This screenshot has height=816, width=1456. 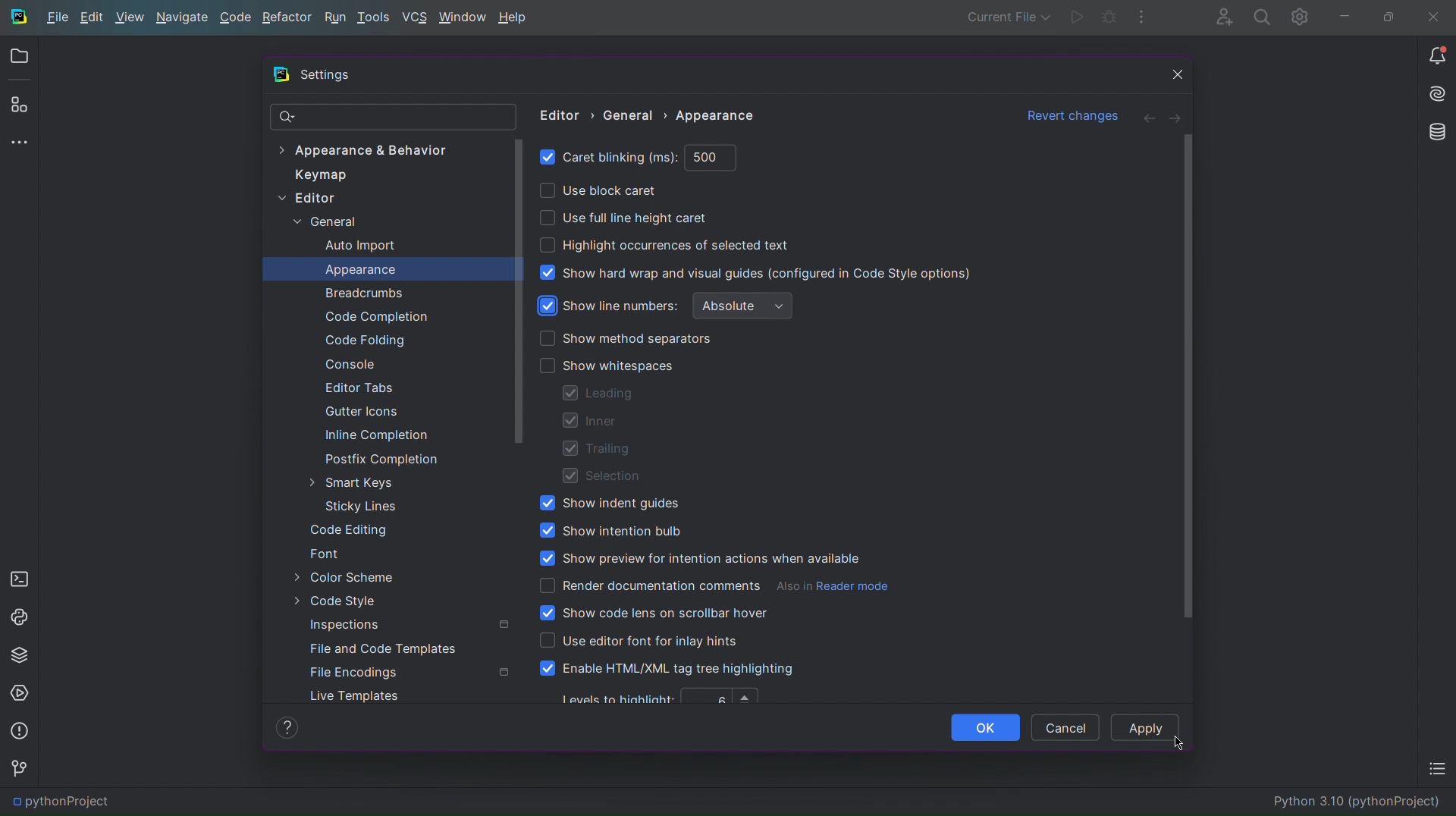 What do you see at coordinates (347, 365) in the screenshot?
I see `Console` at bounding box center [347, 365].